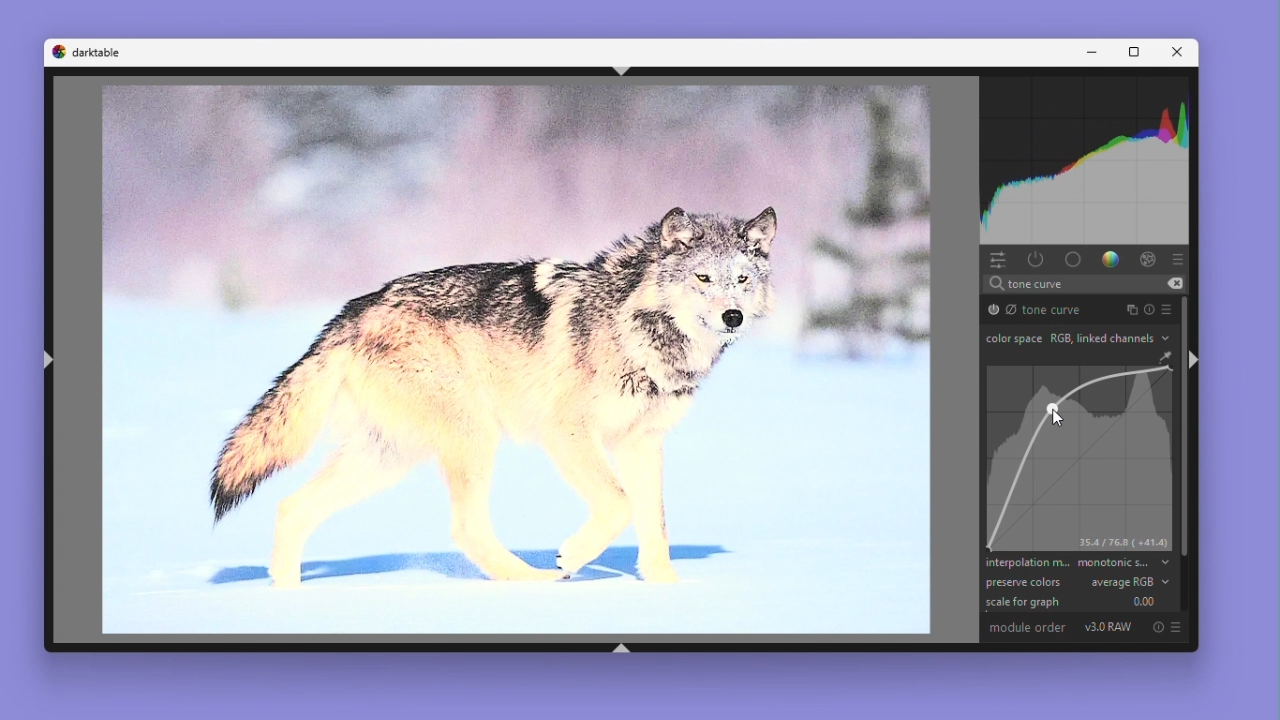 This screenshot has height=720, width=1280. Describe the element at coordinates (498, 361) in the screenshot. I see `Image` at that location.